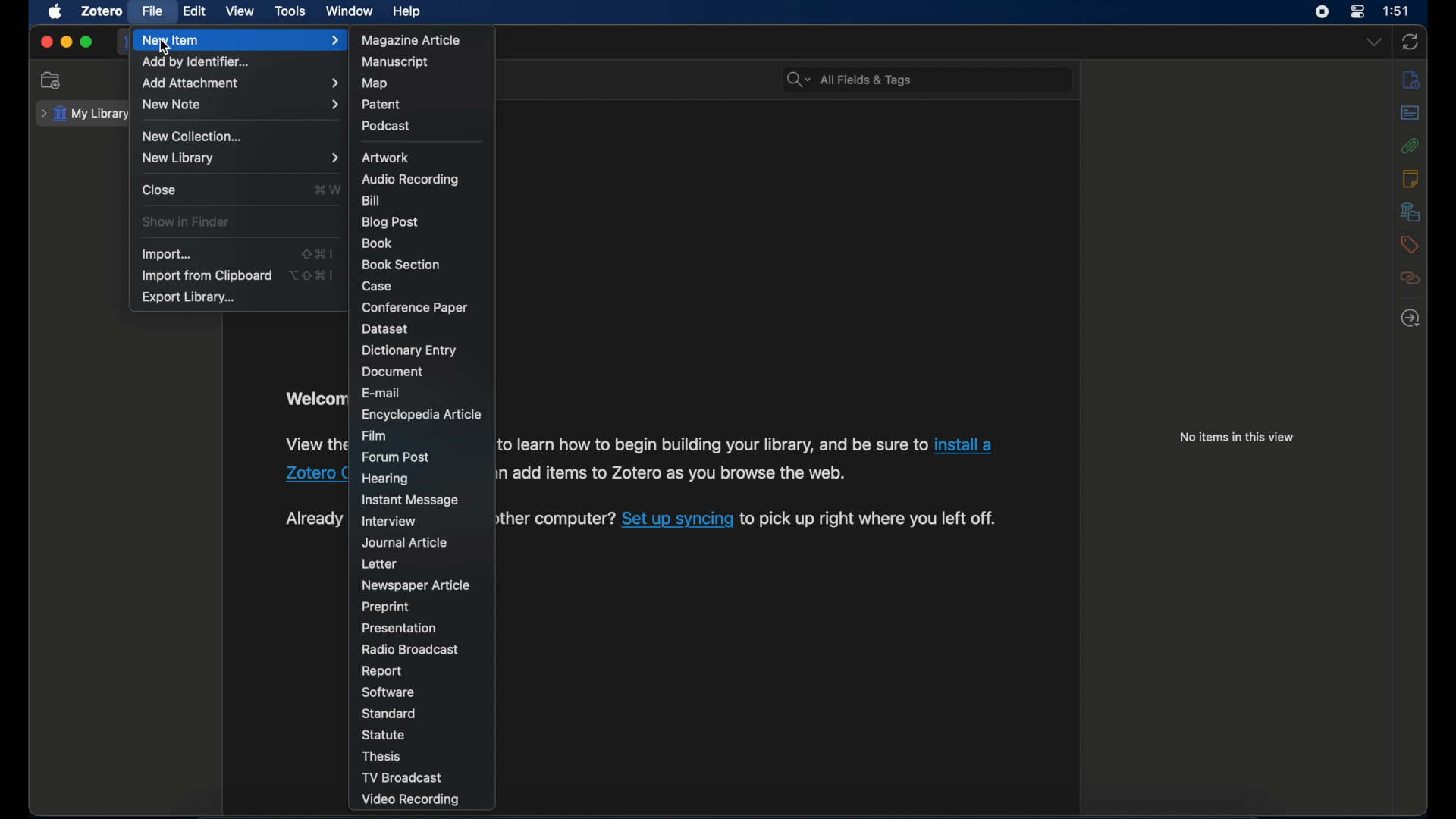  I want to click on sync, so click(1409, 42).